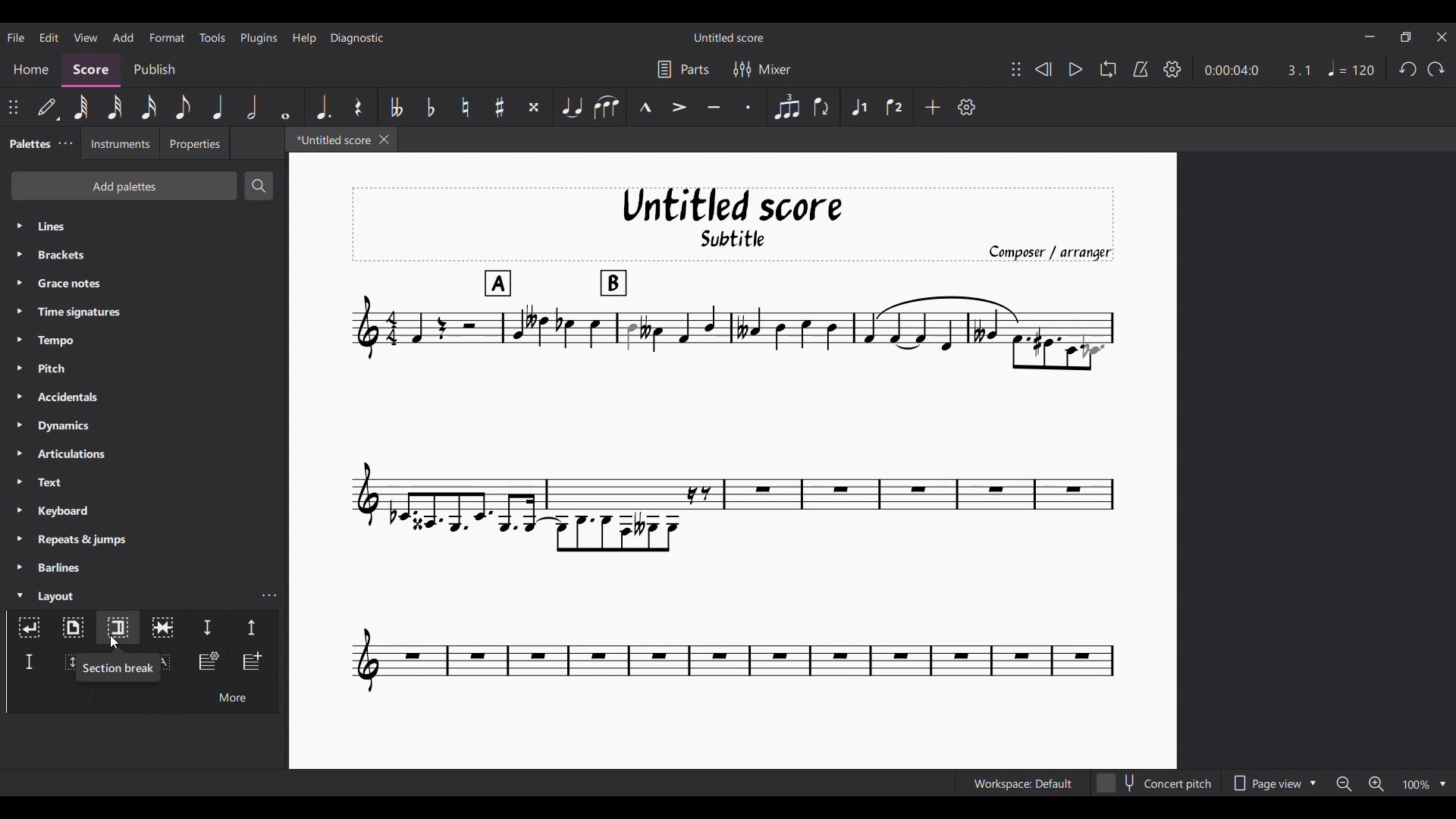 Image resolution: width=1456 pixels, height=819 pixels. I want to click on Zoom in, so click(1376, 783).